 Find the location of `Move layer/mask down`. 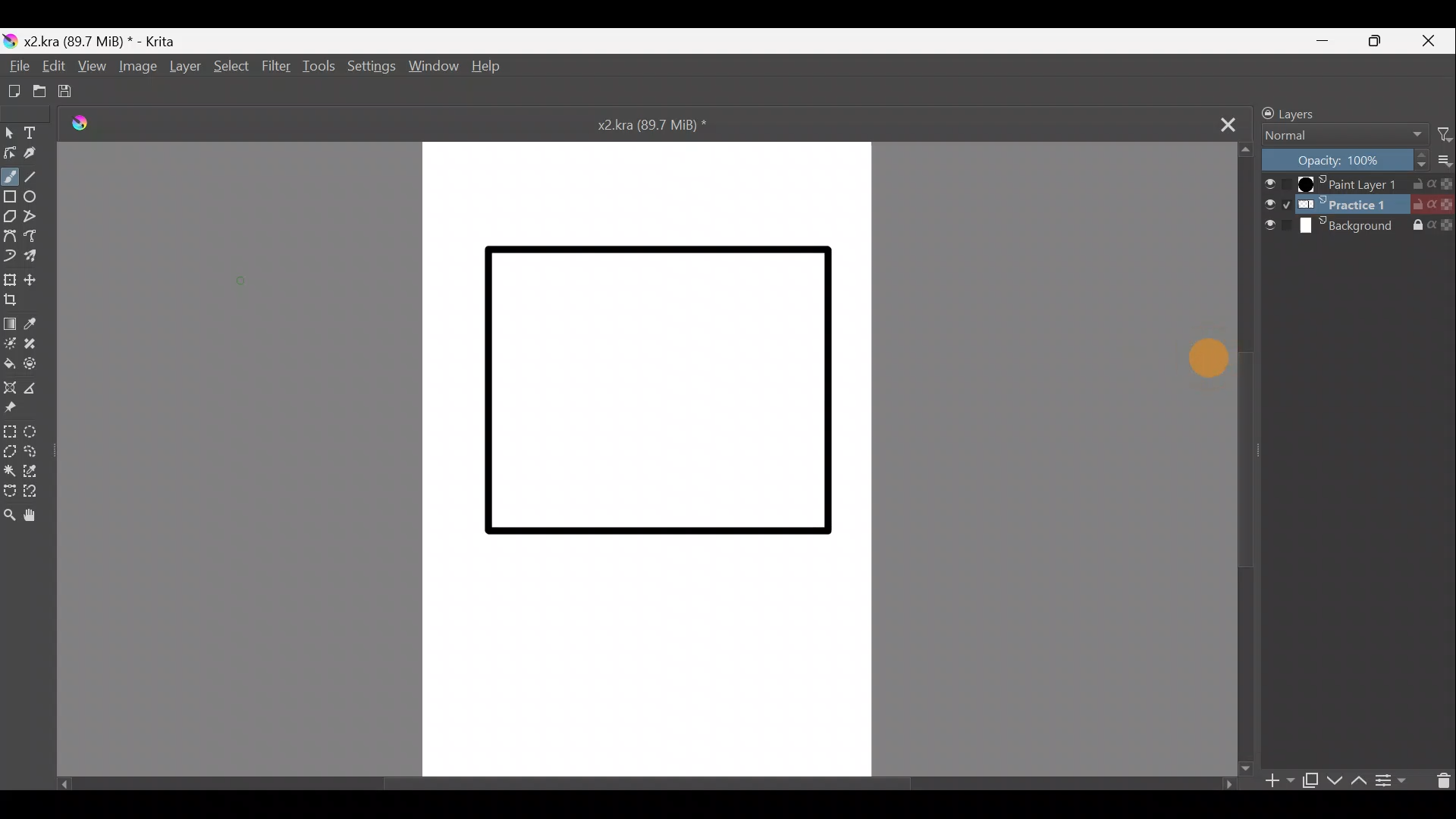

Move layer/mask down is located at coordinates (1335, 777).